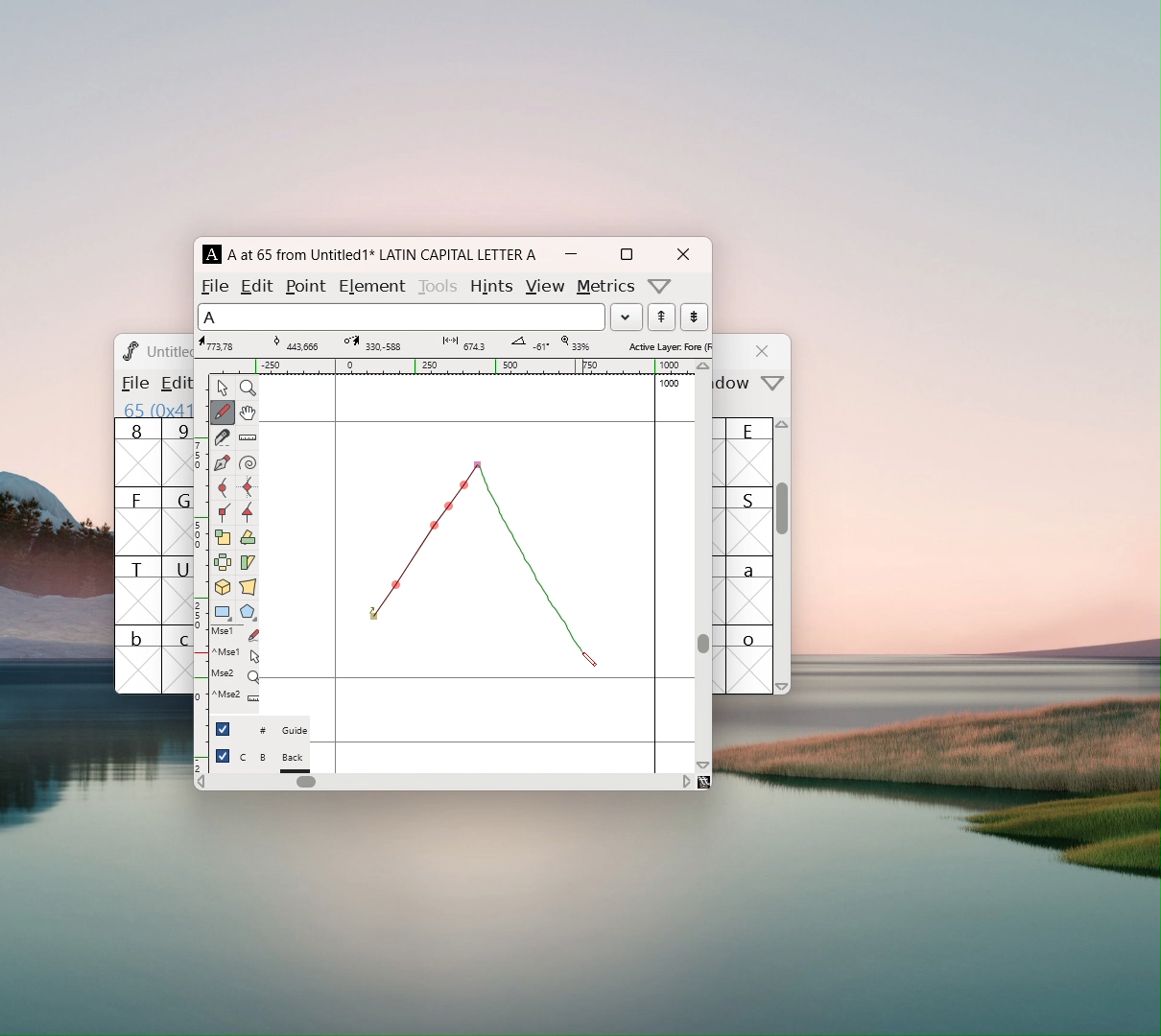 This screenshot has width=1161, height=1036. I want to click on F, so click(138, 521).